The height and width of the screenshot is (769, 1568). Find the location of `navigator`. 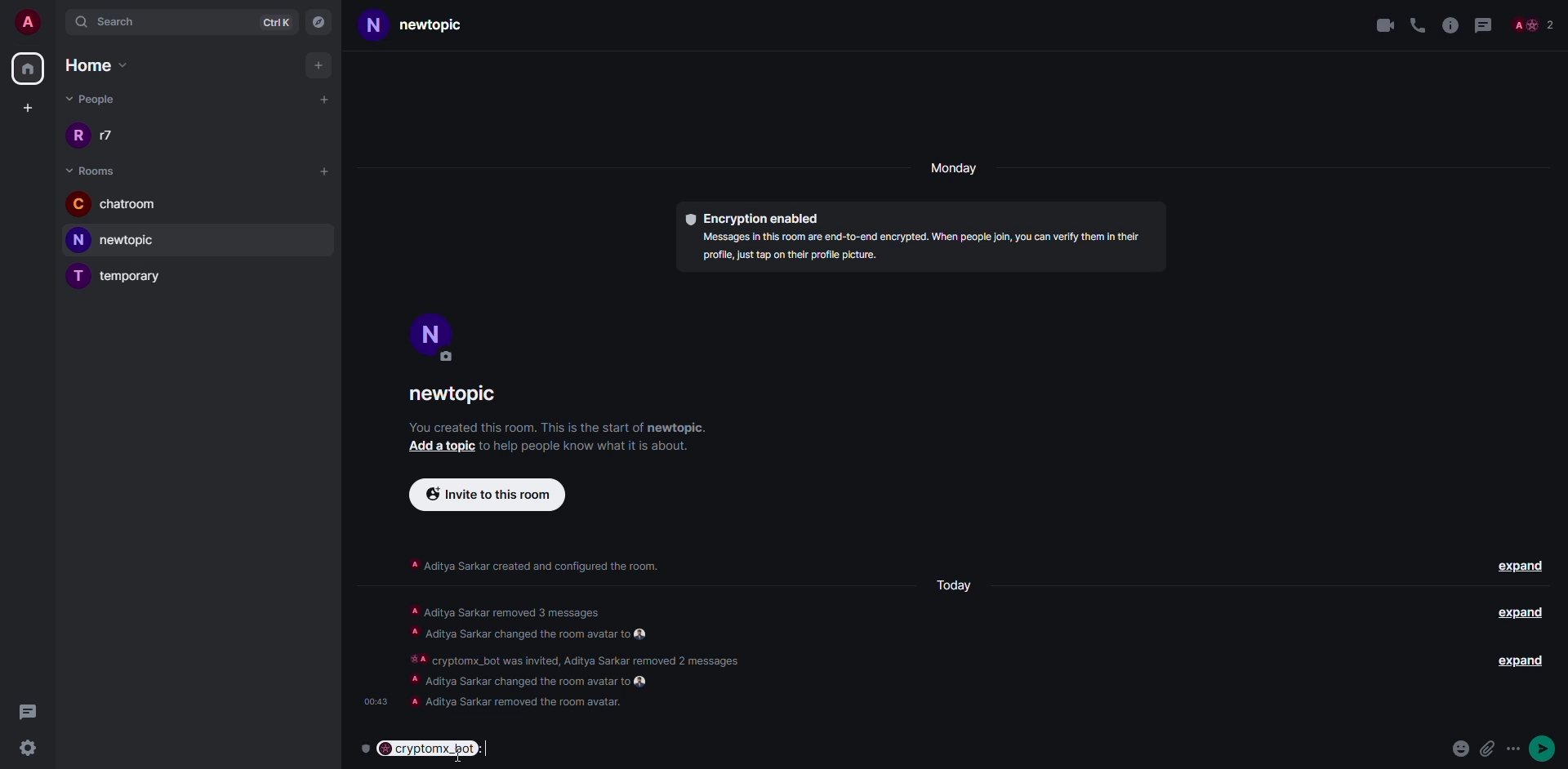

navigator is located at coordinates (320, 20).